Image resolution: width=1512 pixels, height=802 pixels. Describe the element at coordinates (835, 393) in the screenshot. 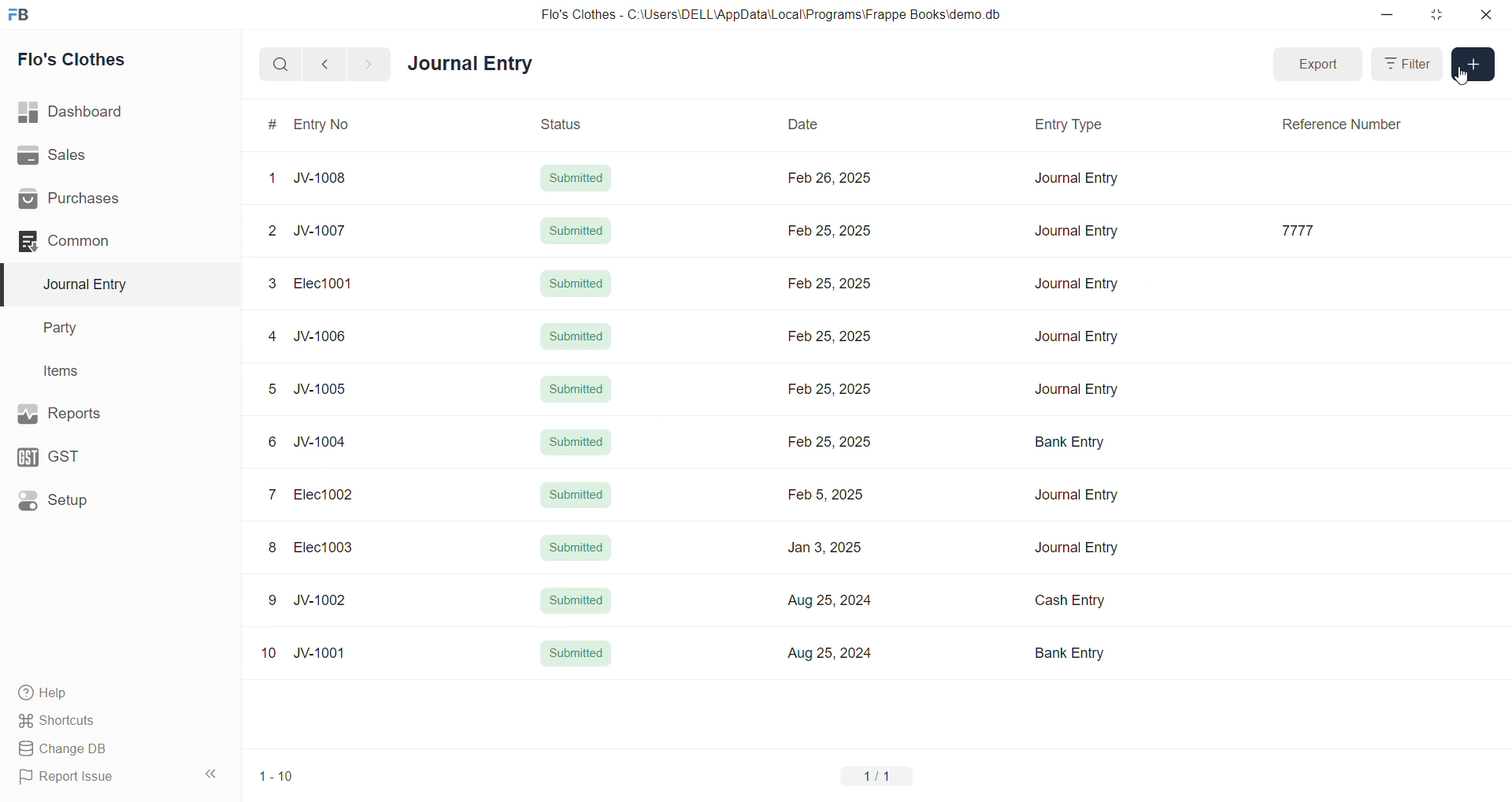

I see `Feb 25, 2025` at that location.